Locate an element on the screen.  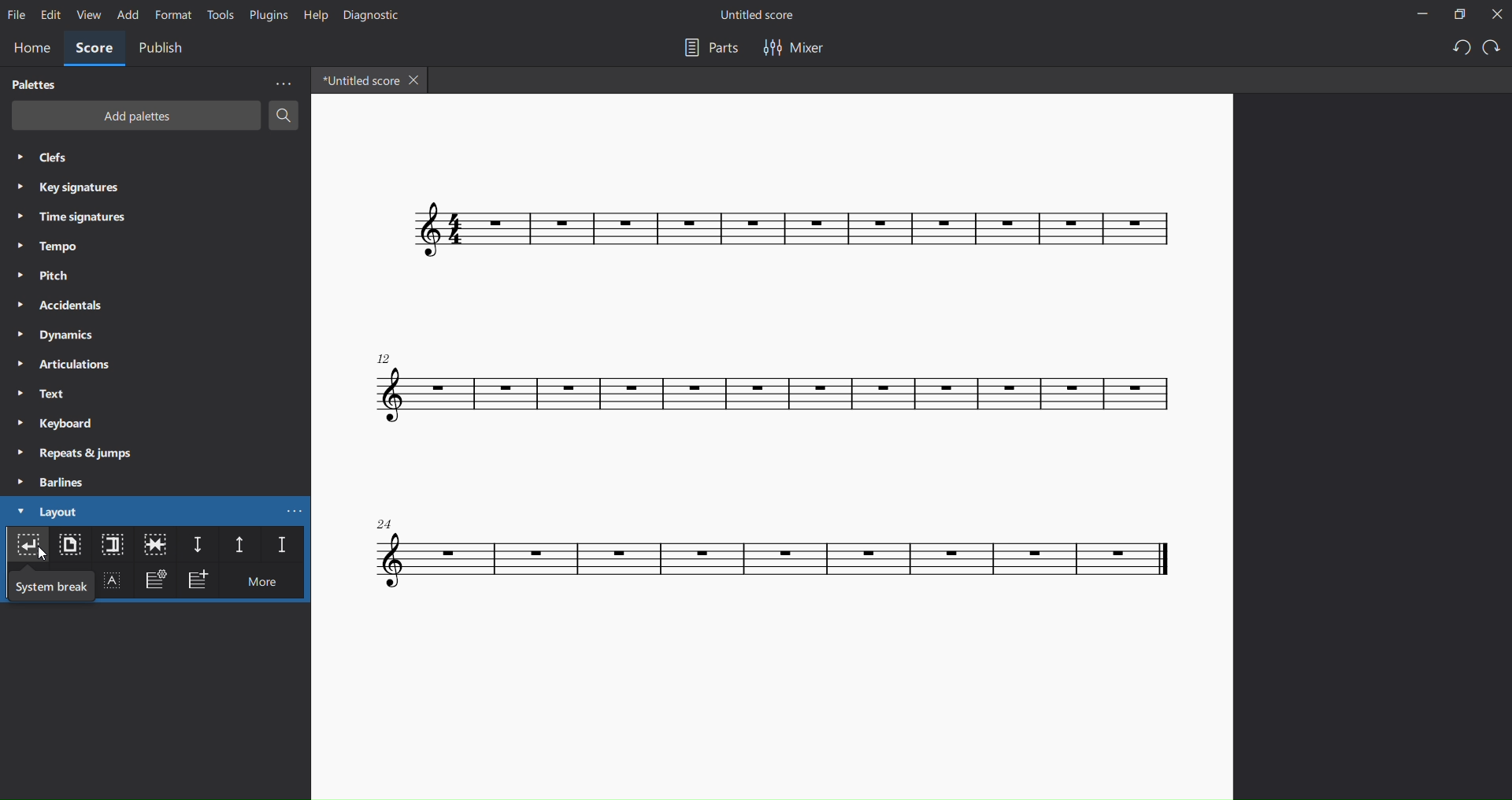
publish is located at coordinates (163, 48).